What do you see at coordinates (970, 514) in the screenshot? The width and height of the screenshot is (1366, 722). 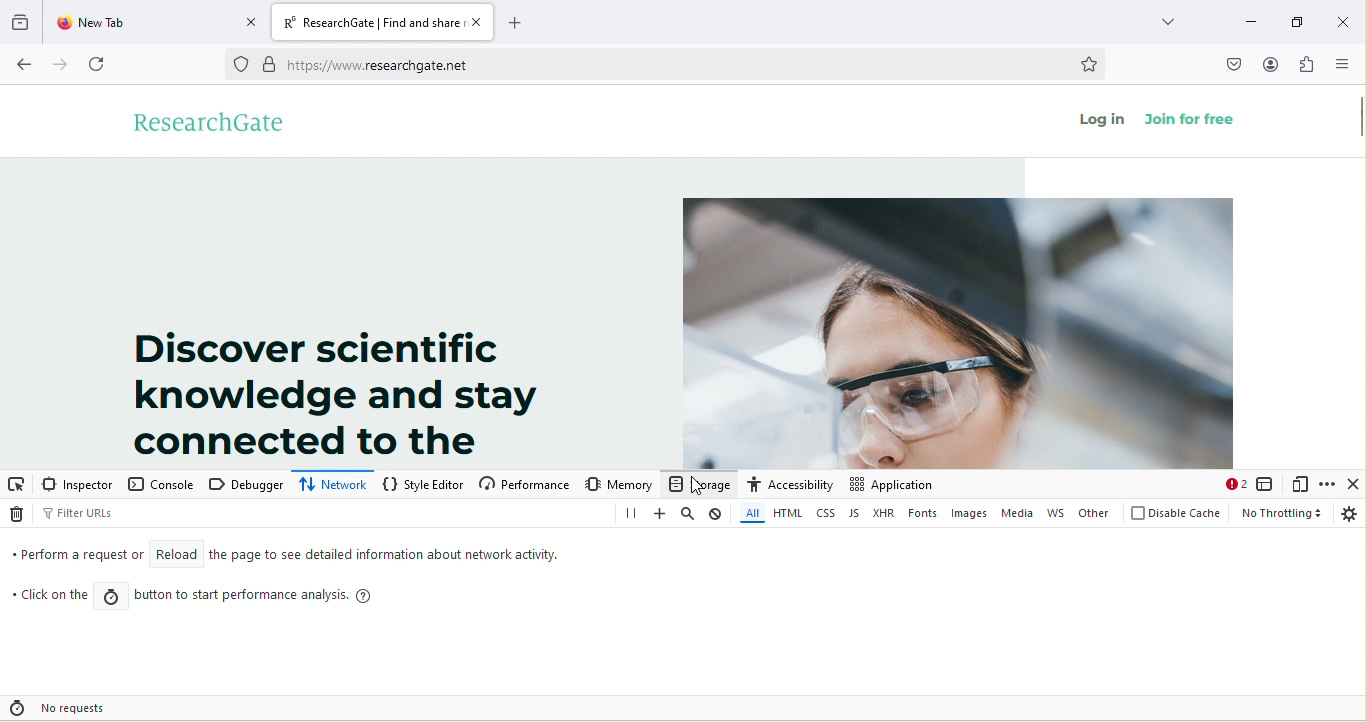 I see `images` at bounding box center [970, 514].